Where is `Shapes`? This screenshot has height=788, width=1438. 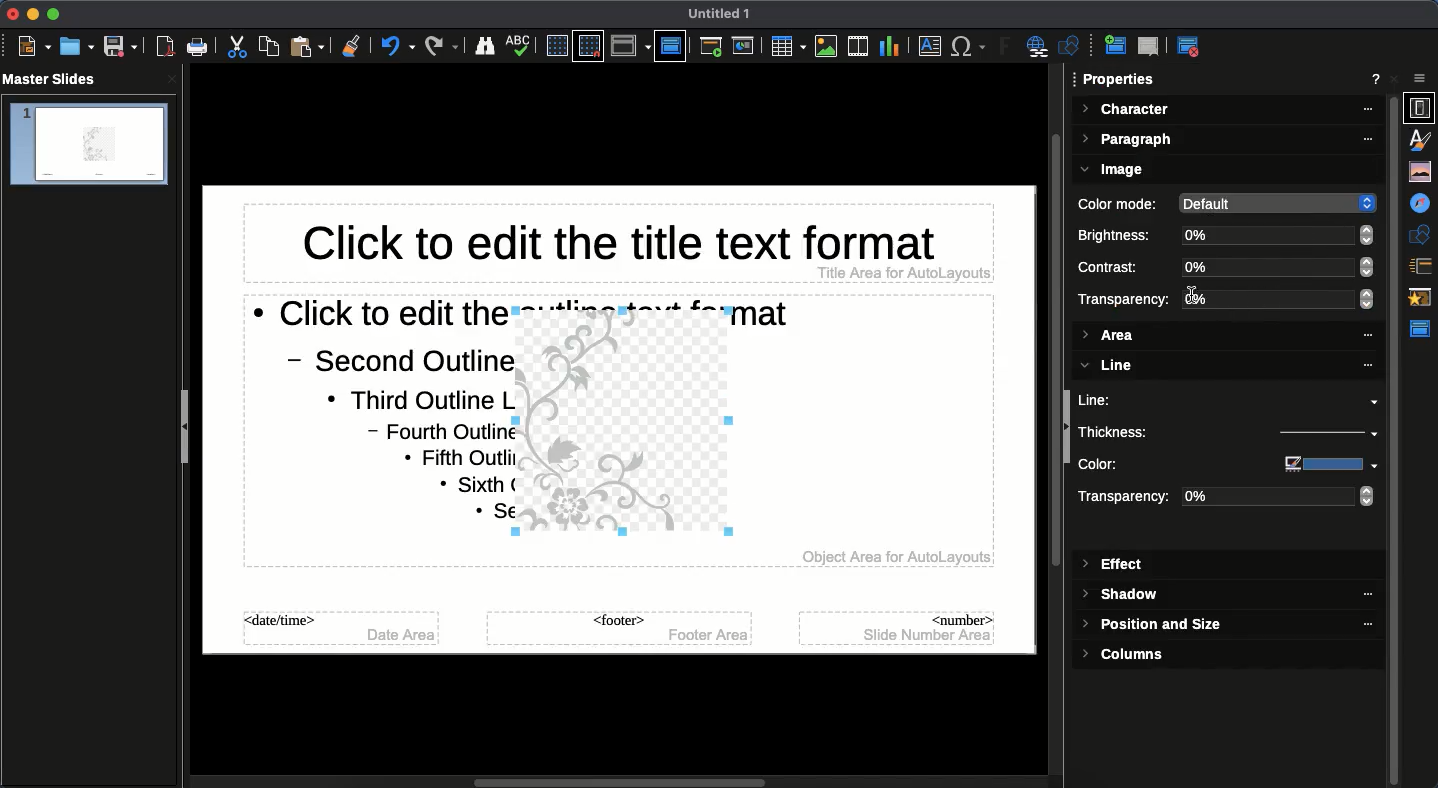 Shapes is located at coordinates (1072, 48).